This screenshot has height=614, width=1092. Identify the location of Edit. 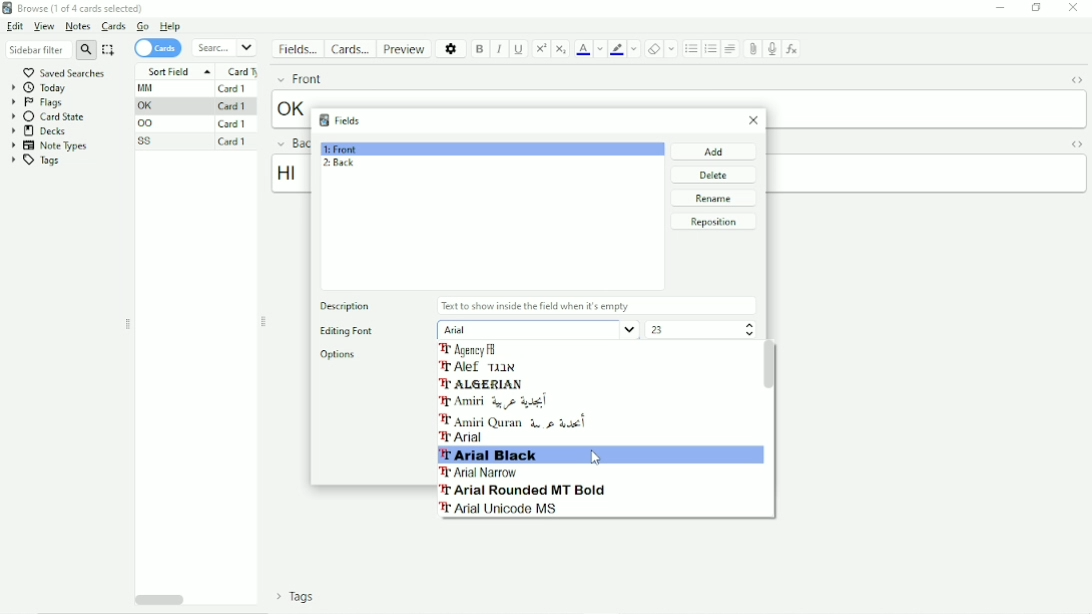
(16, 27).